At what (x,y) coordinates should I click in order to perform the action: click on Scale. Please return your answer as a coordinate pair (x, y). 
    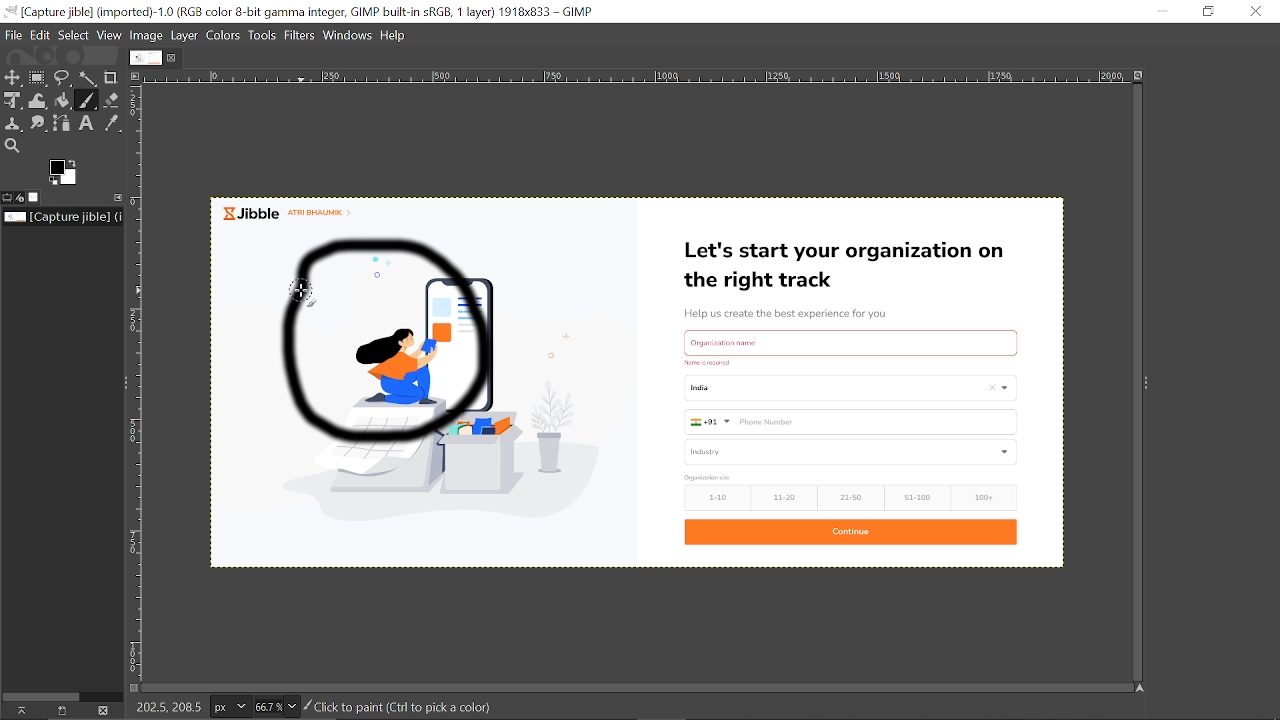
    Looking at the image, I should click on (639, 78).